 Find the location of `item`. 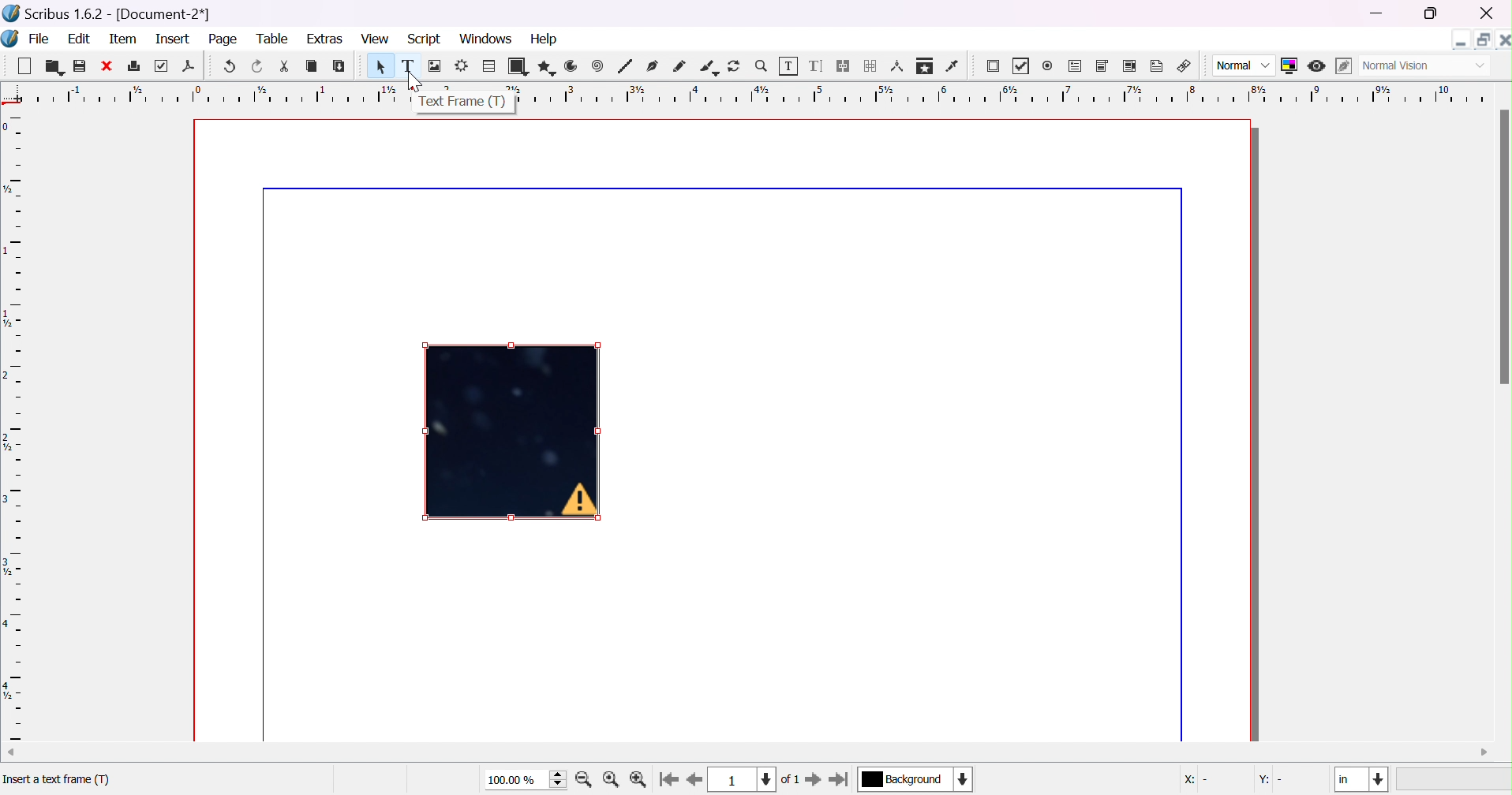

item is located at coordinates (122, 39).